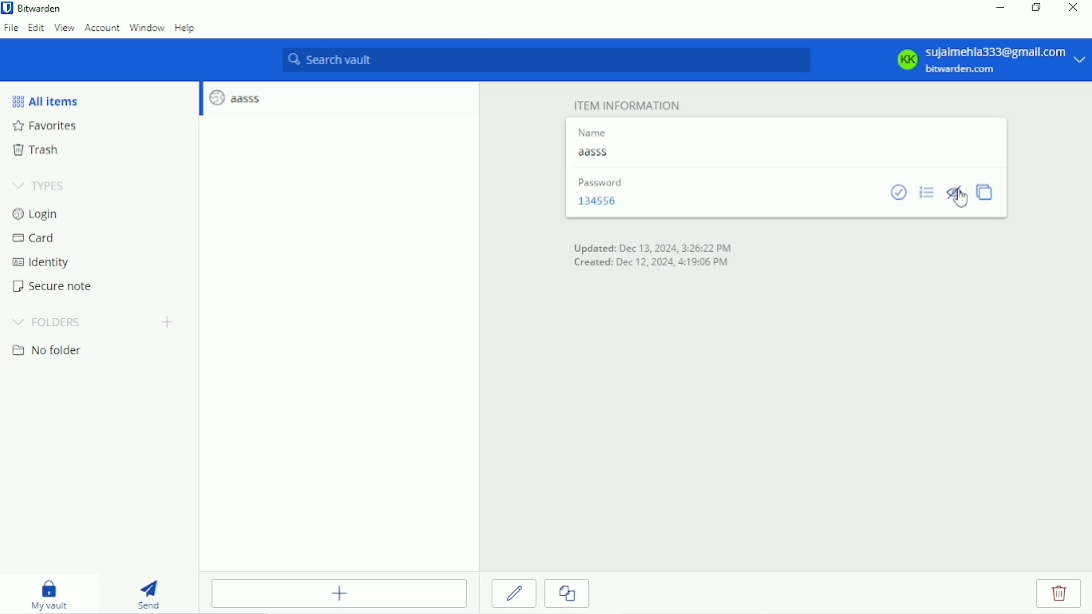  What do you see at coordinates (974, 60) in the screenshot?
I see `Account options` at bounding box center [974, 60].